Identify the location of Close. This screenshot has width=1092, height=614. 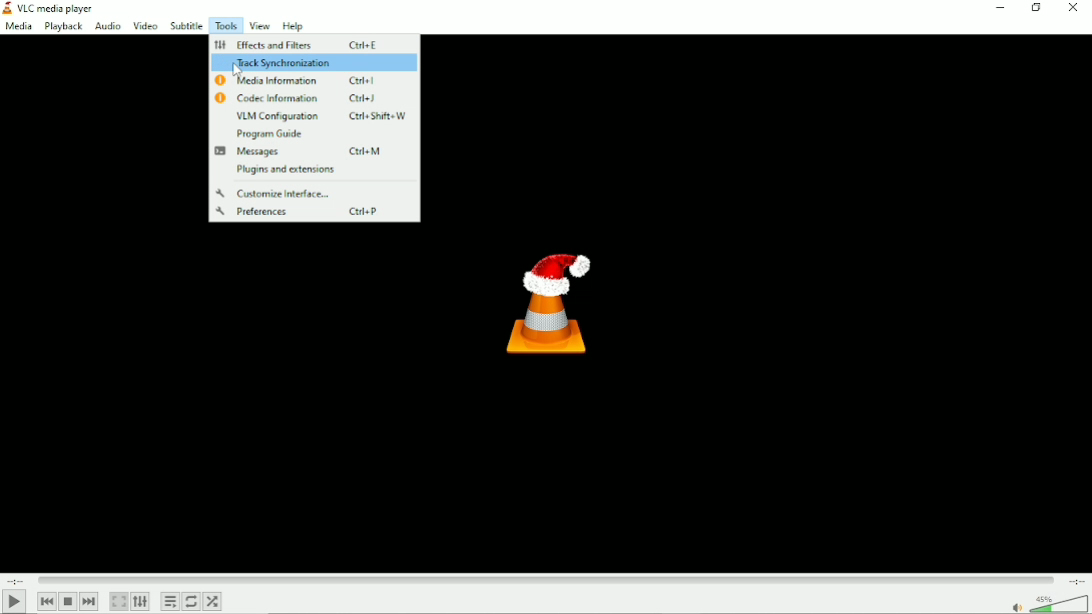
(1075, 8).